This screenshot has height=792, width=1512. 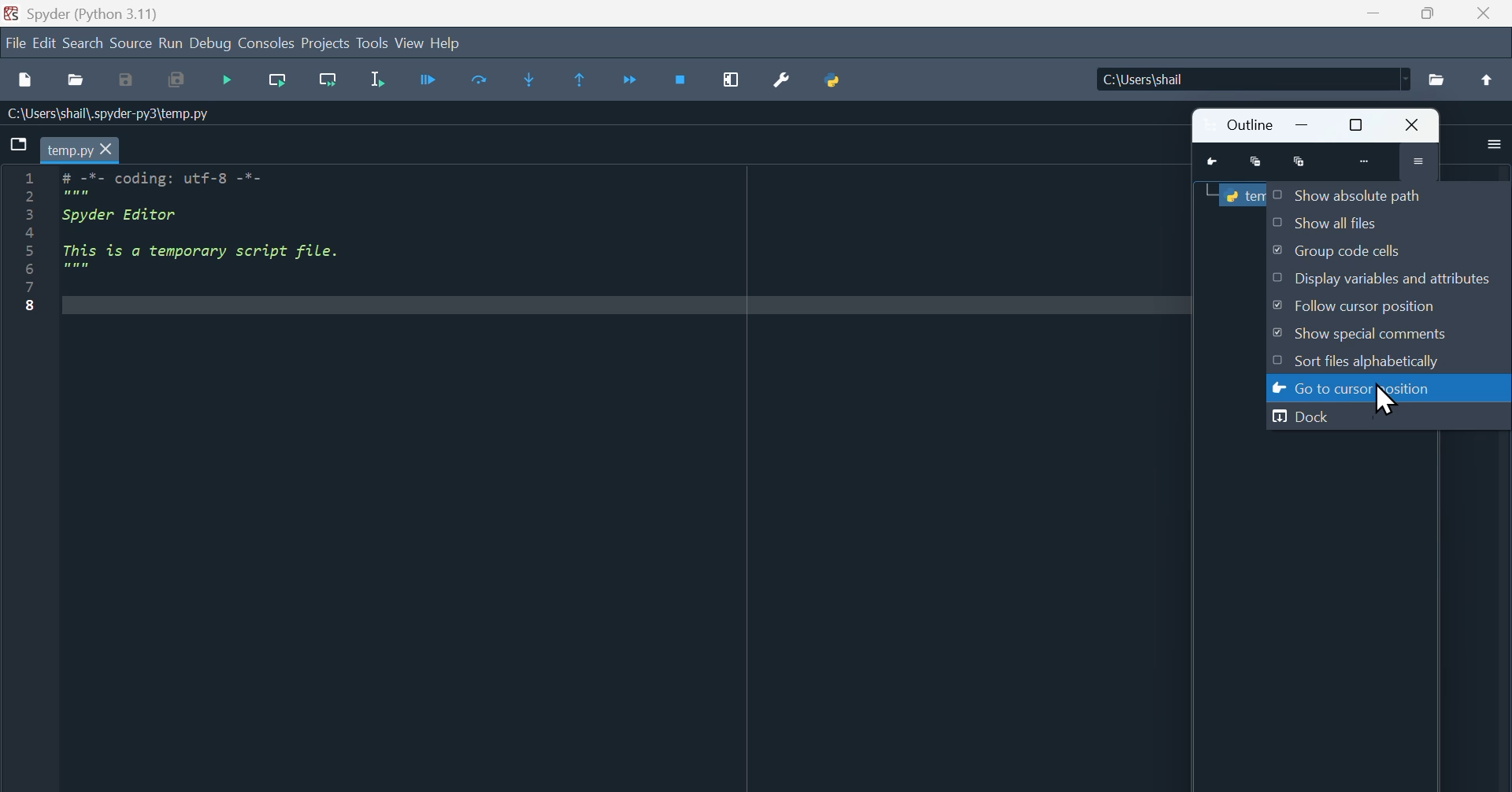 What do you see at coordinates (411, 42) in the screenshot?
I see `View` at bounding box center [411, 42].